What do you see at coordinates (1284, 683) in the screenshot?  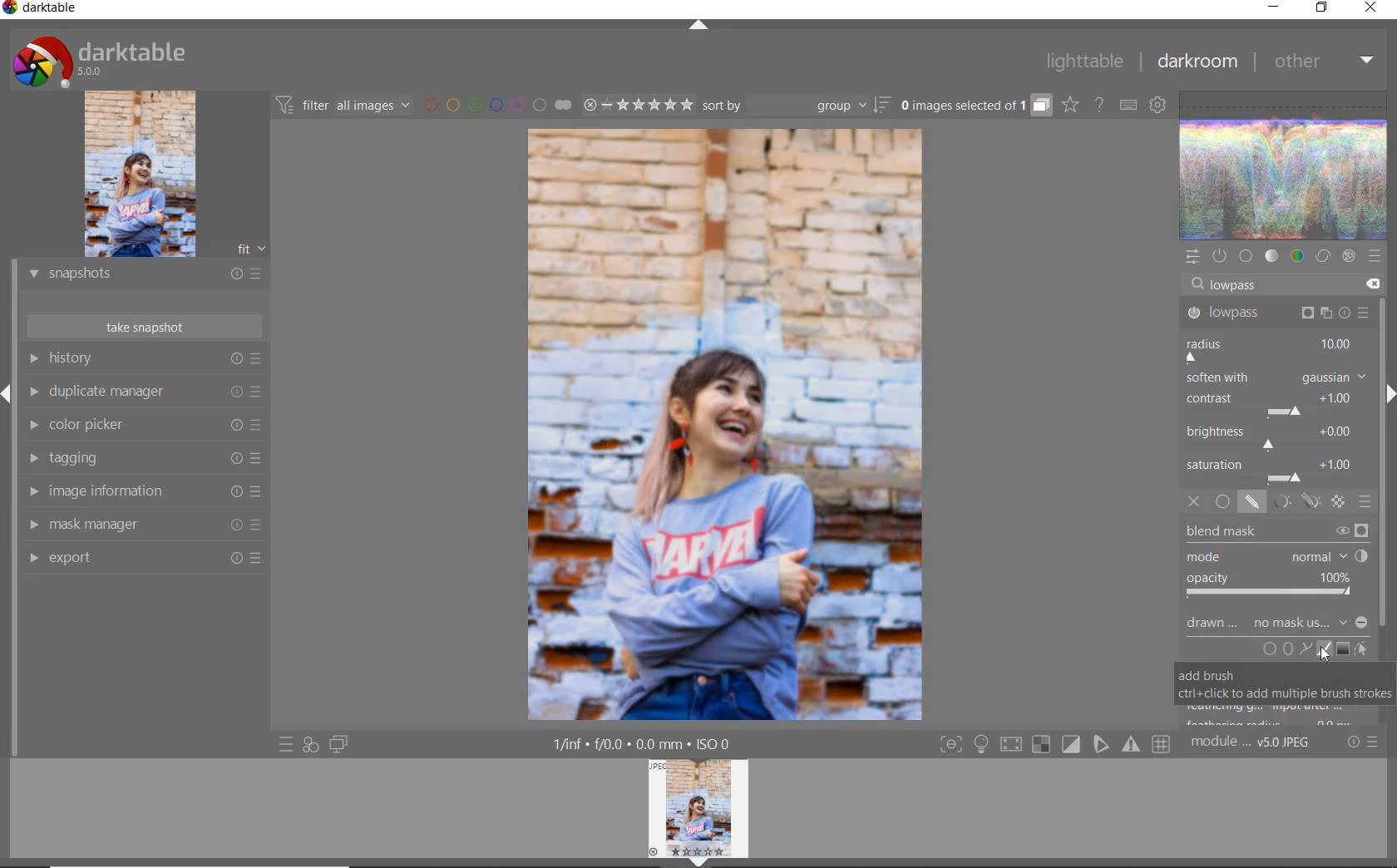 I see `add brush. ctrl+click to add multiple brush strokes` at bounding box center [1284, 683].